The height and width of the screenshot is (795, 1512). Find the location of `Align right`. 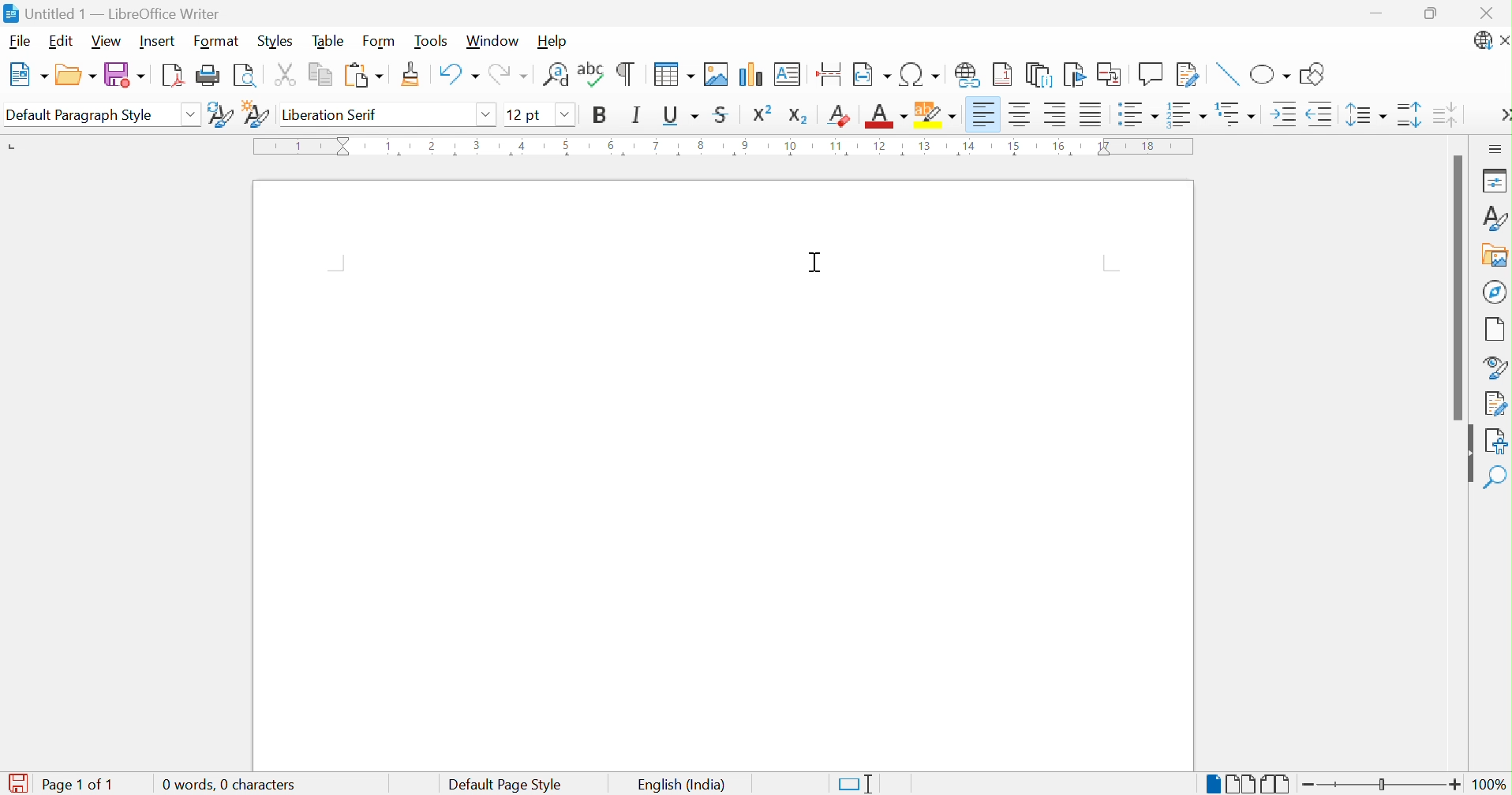

Align right is located at coordinates (1055, 114).